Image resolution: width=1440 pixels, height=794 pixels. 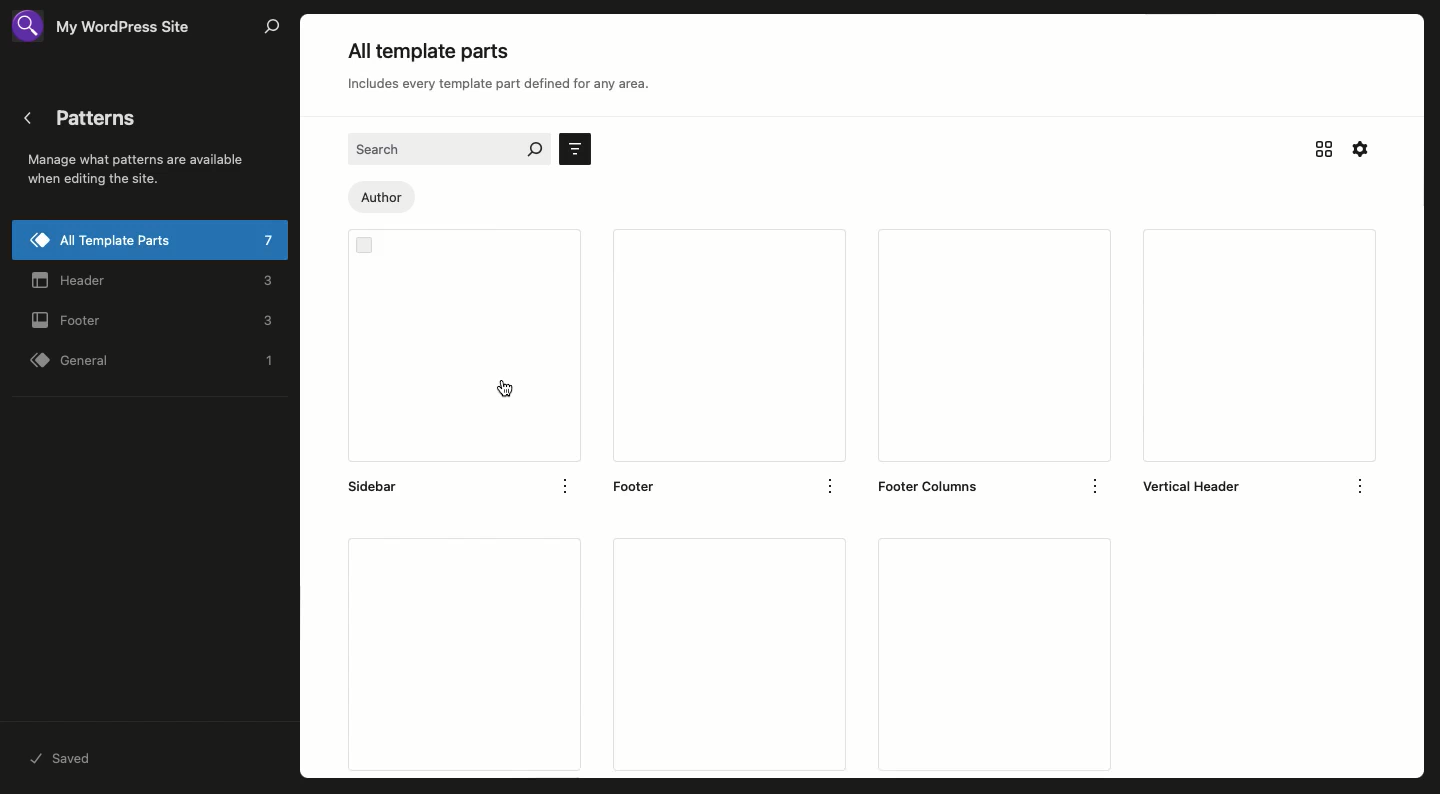 What do you see at coordinates (383, 197) in the screenshot?
I see `Author` at bounding box center [383, 197].